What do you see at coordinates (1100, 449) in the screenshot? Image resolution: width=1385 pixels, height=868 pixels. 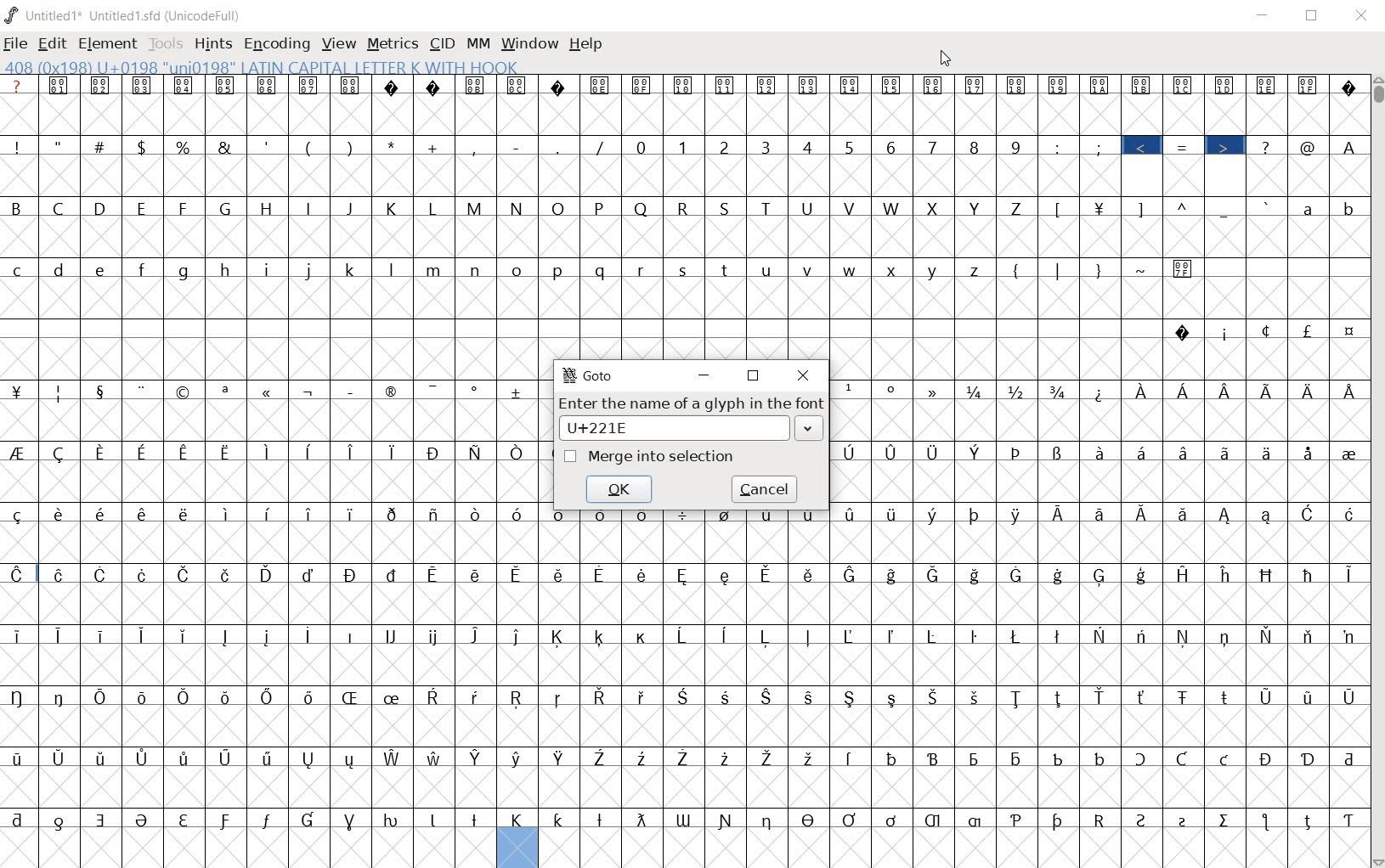 I see `` at bounding box center [1100, 449].